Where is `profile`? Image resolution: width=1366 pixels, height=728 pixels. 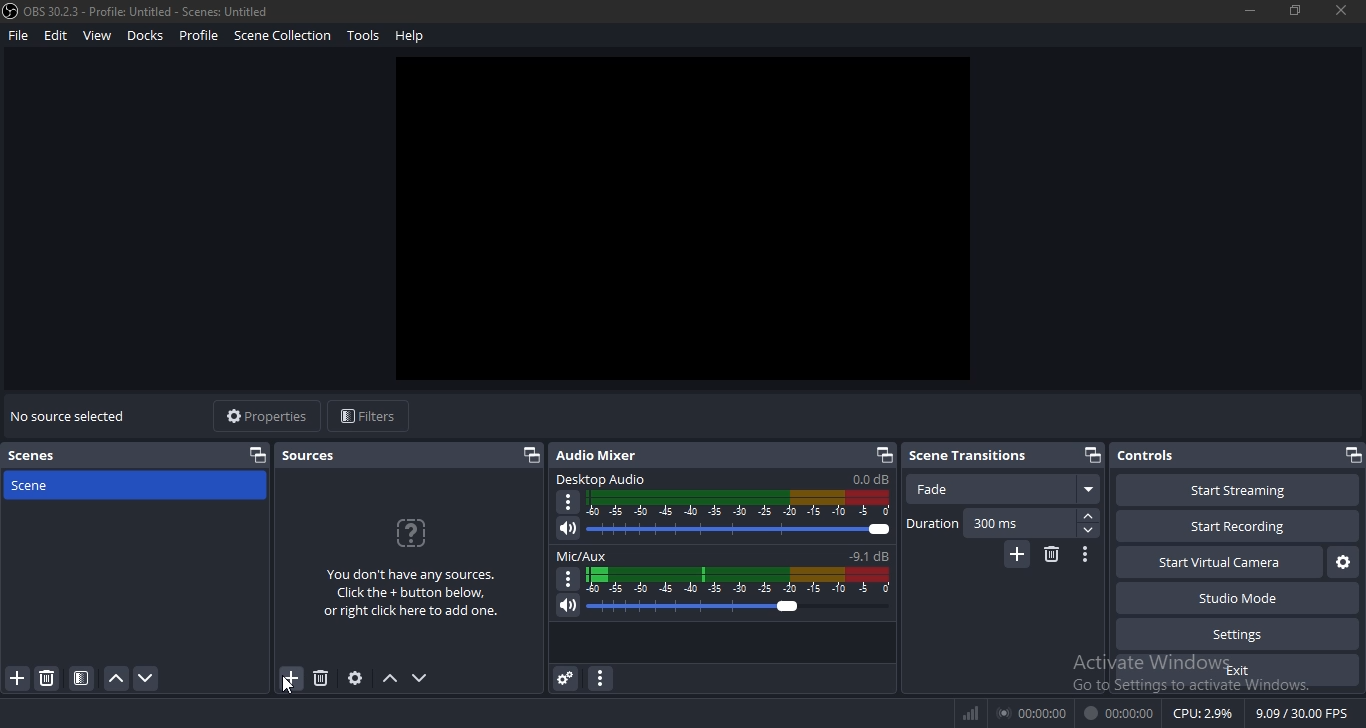
profile is located at coordinates (199, 35).